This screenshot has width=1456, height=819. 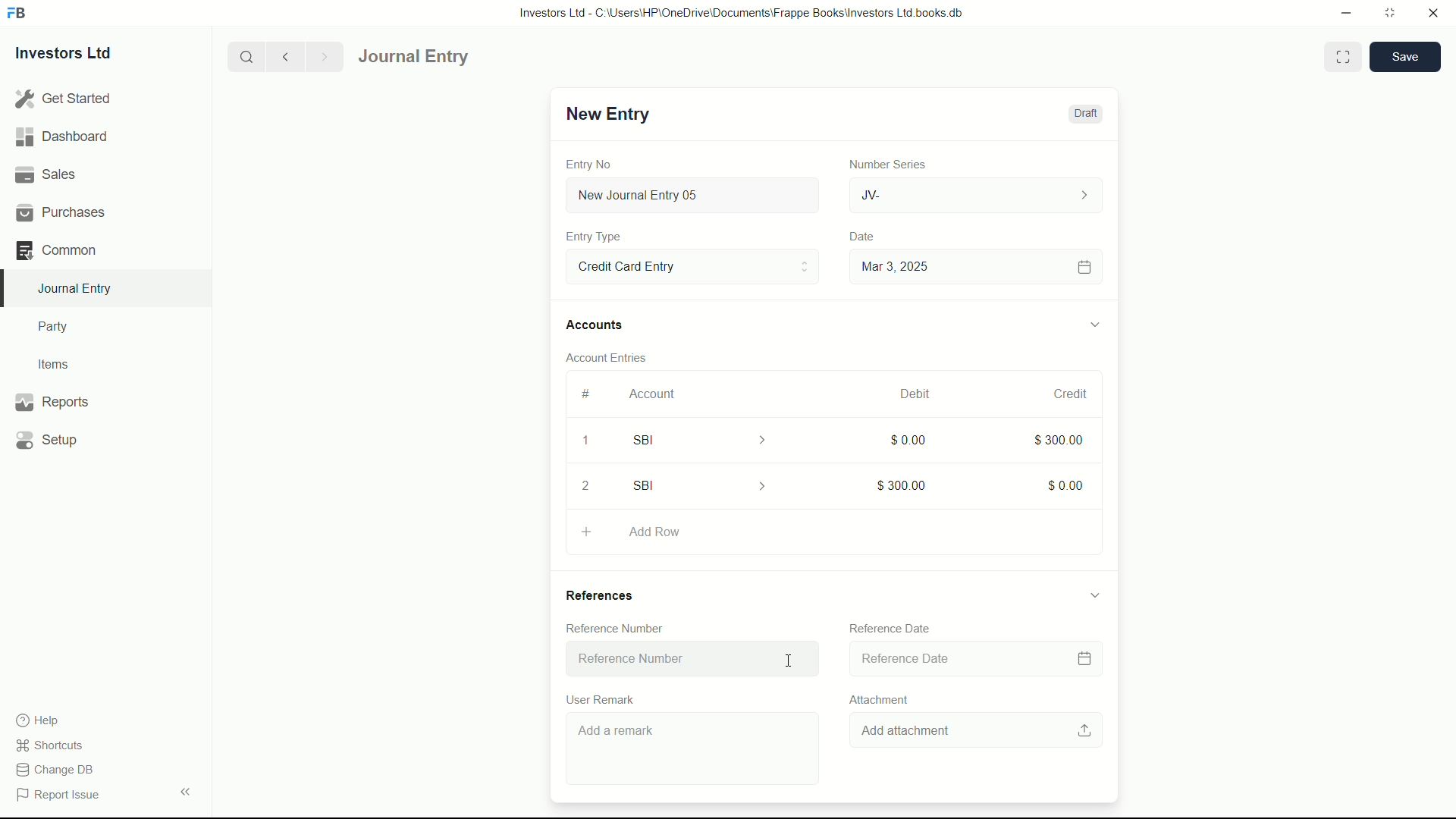 What do you see at coordinates (1406, 57) in the screenshot?
I see `save` at bounding box center [1406, 57].